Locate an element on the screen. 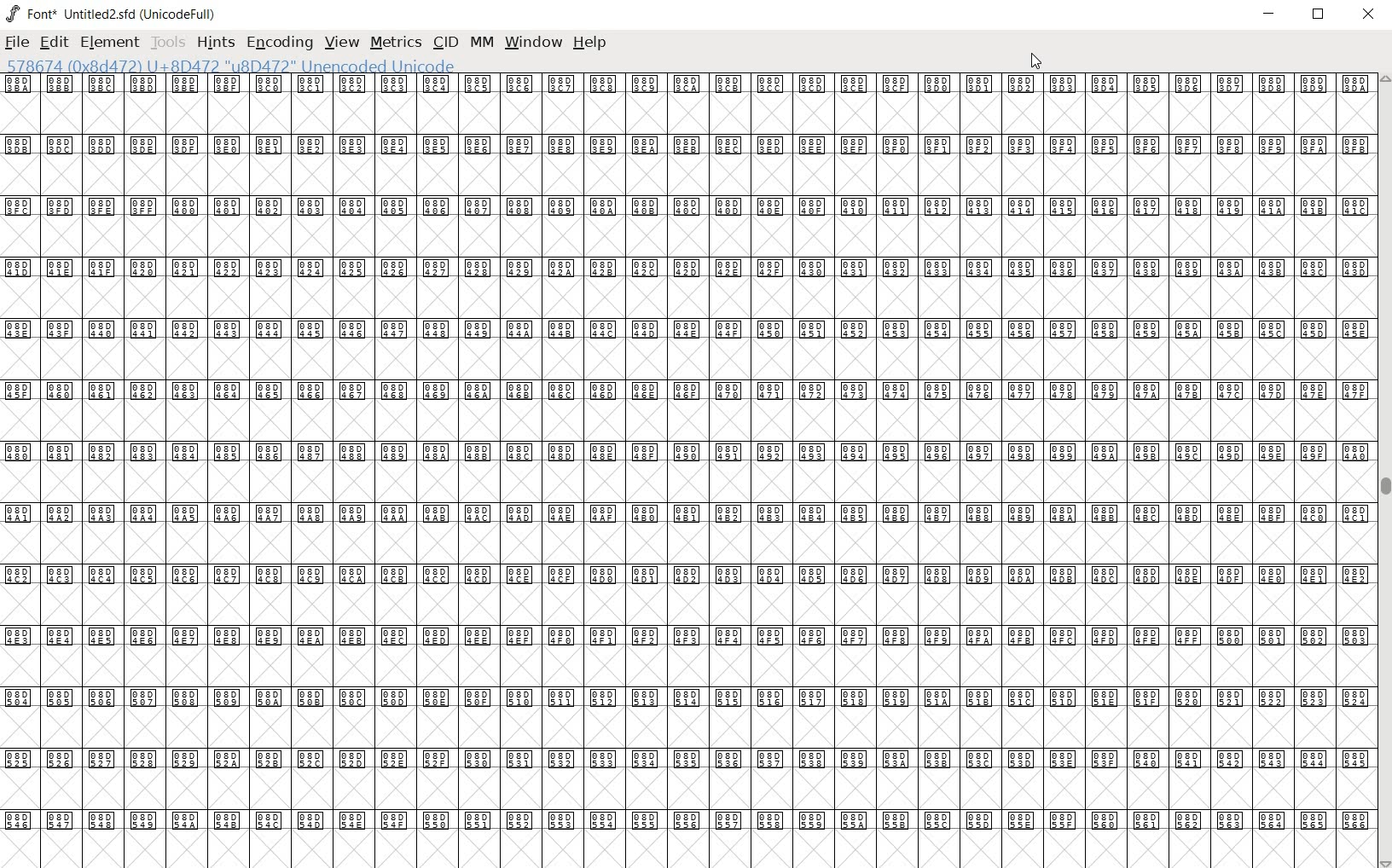  glyph characters is located at coordinates (684, 467).